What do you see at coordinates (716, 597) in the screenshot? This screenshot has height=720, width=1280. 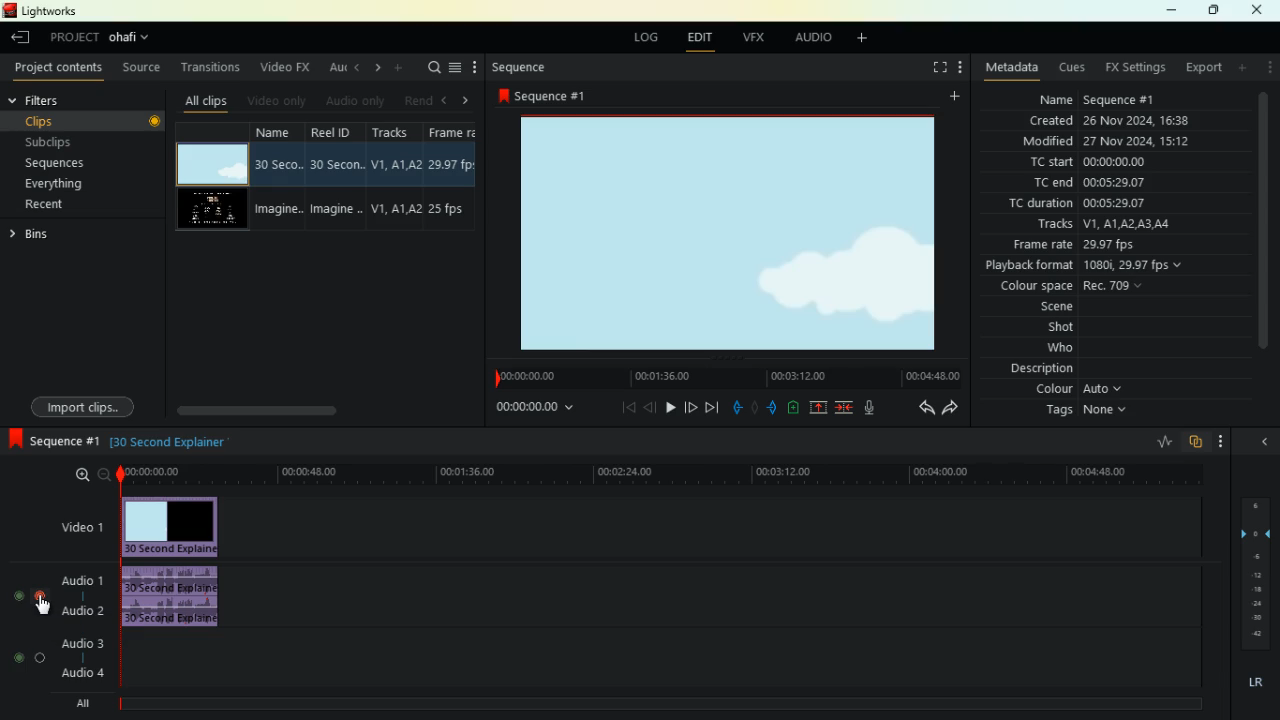 I see `audio 1 and audio 2 timeline track` at bounding box center [716, 597].